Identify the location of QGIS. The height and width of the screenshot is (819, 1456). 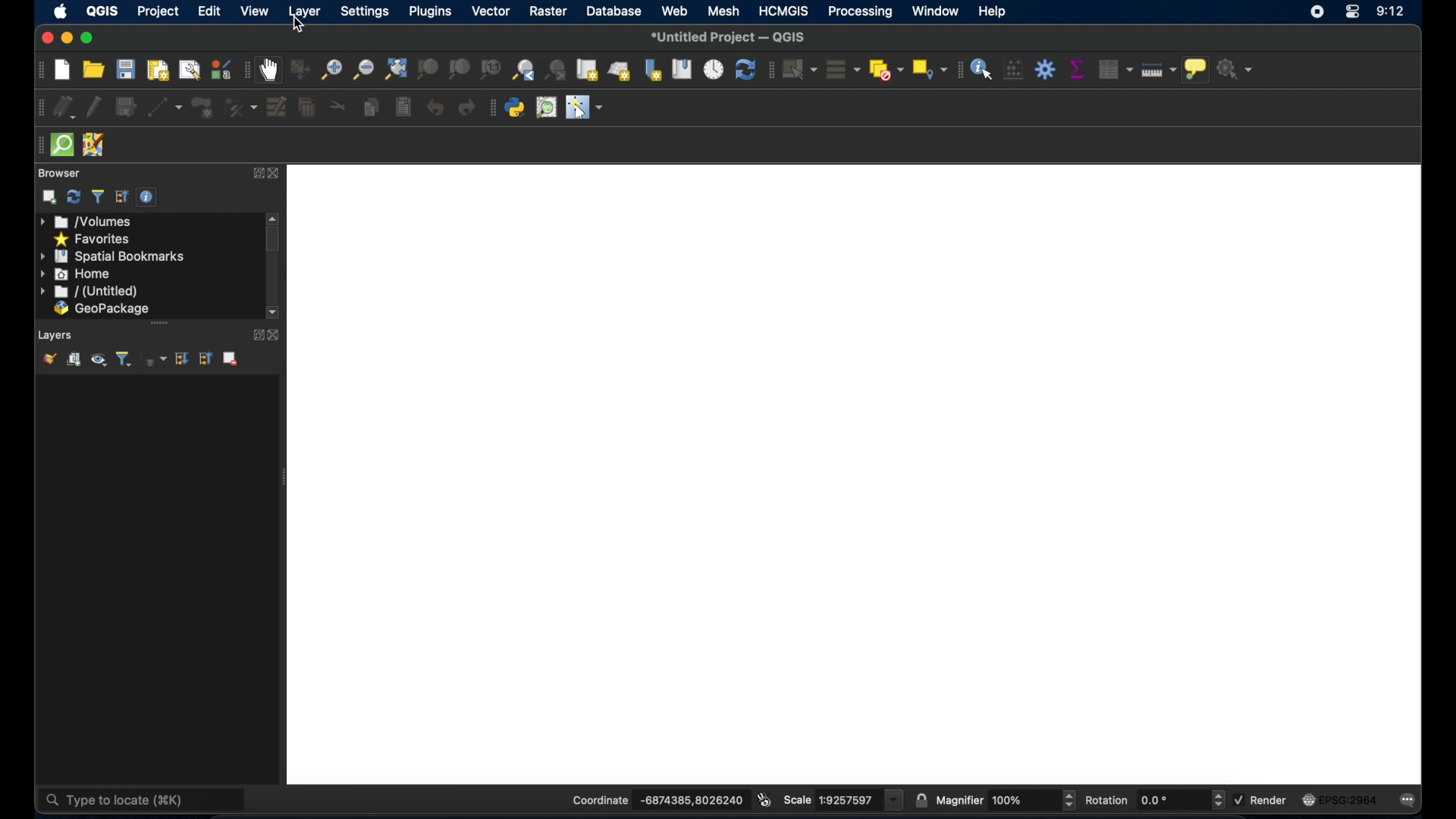
(103, 11).